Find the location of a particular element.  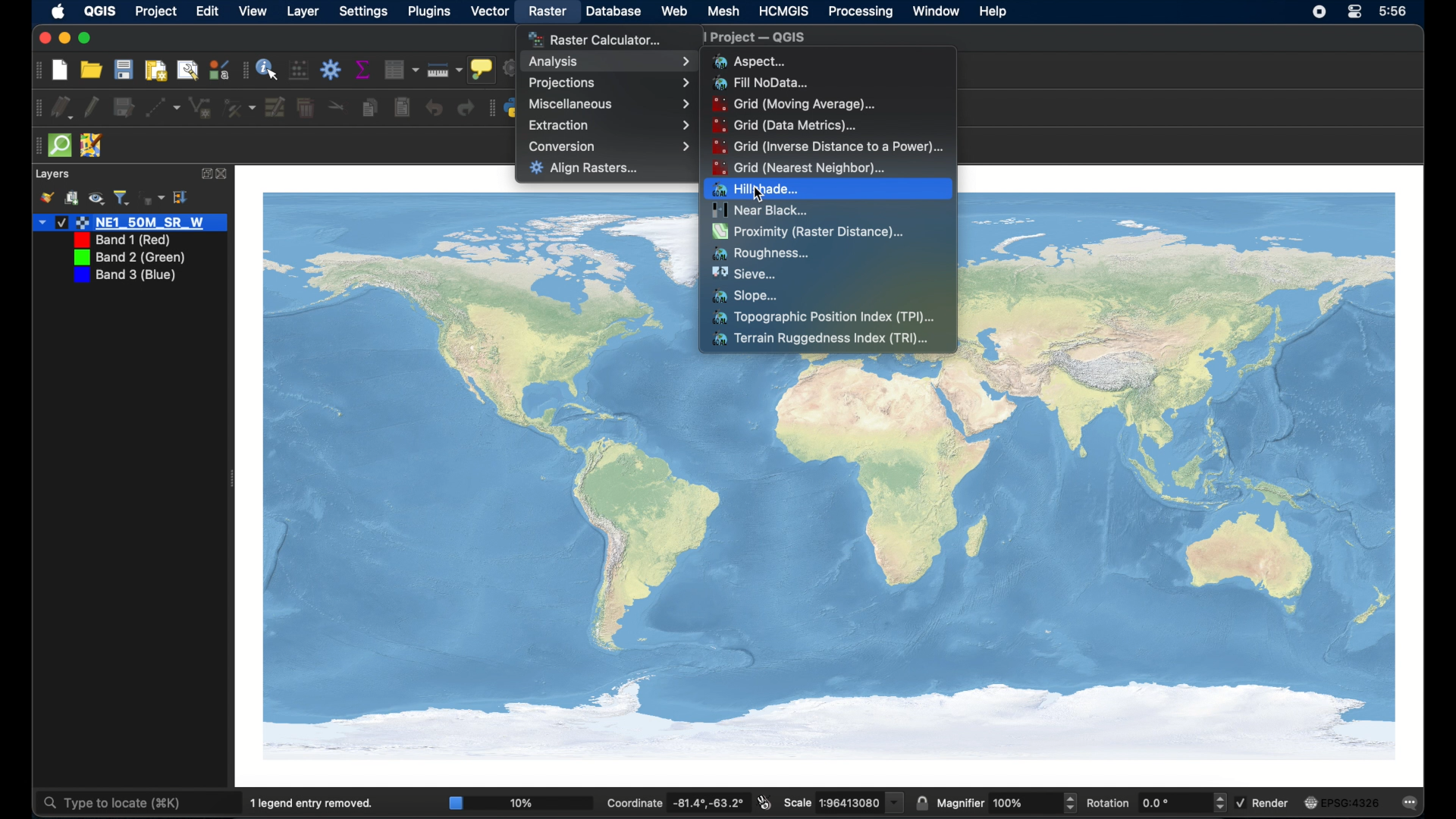

drag handle is located at coordinates (36, 146).